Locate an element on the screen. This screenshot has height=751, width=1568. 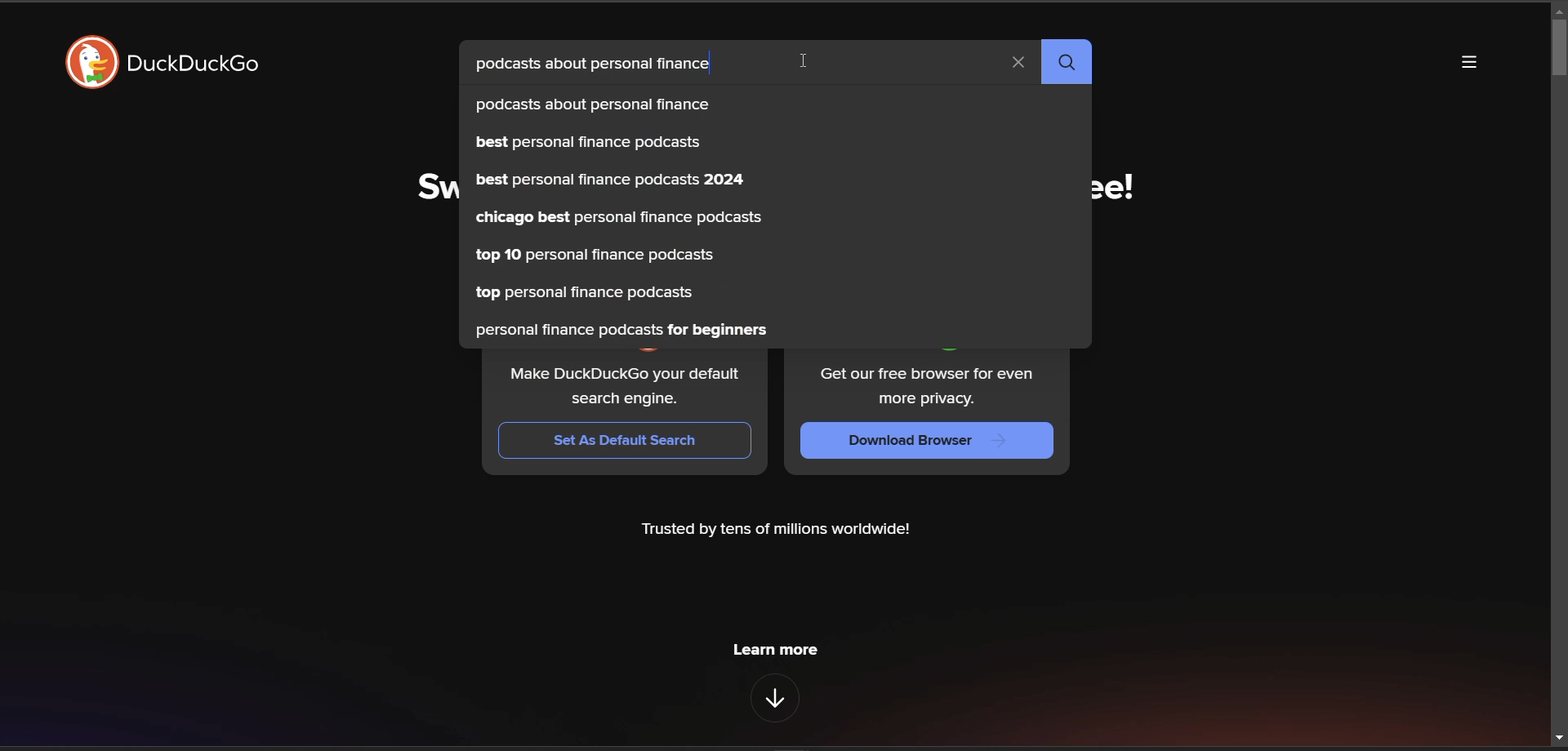
learn more is located at coordinates (772, 649).